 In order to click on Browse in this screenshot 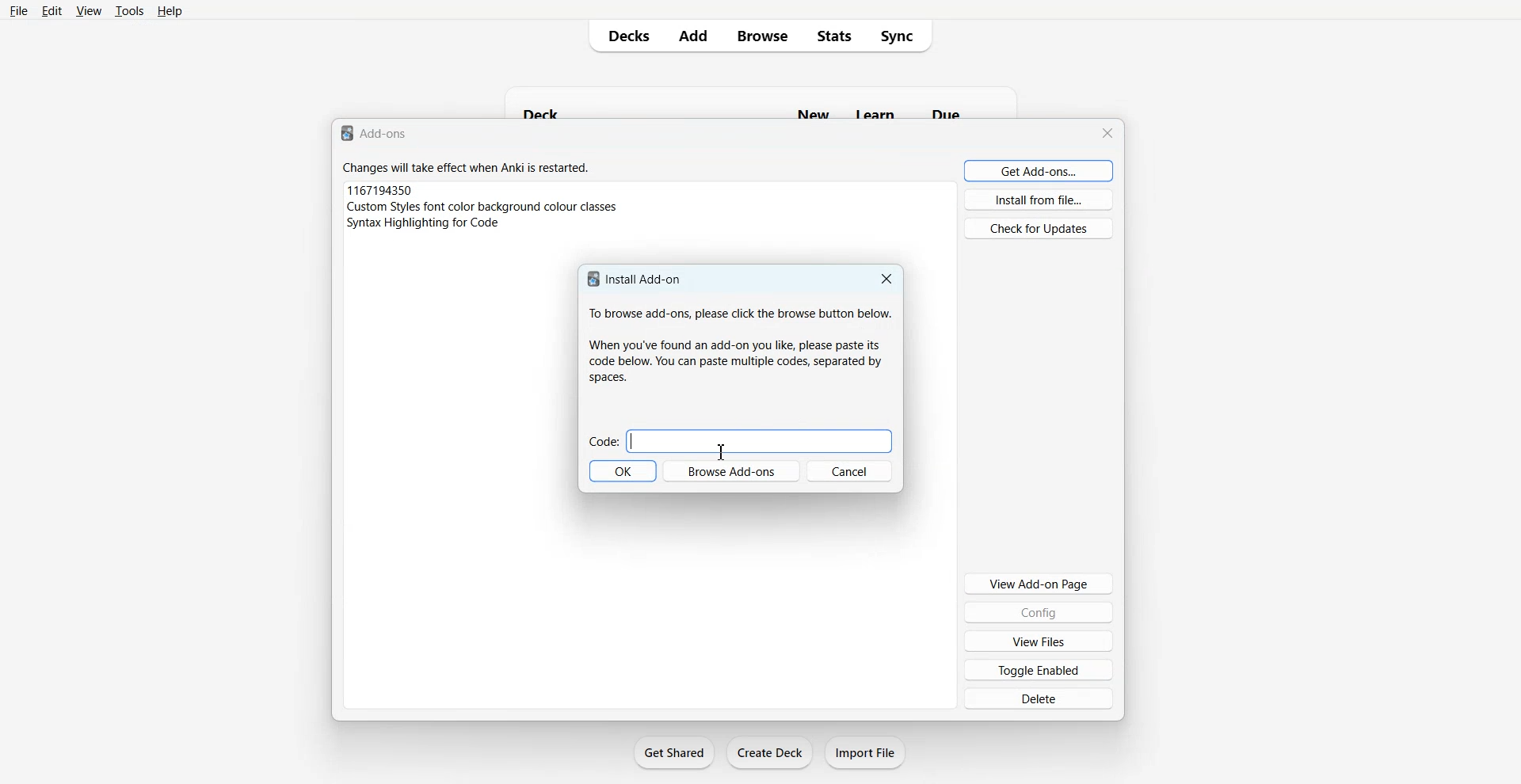, I will do `click(763, 36)`.